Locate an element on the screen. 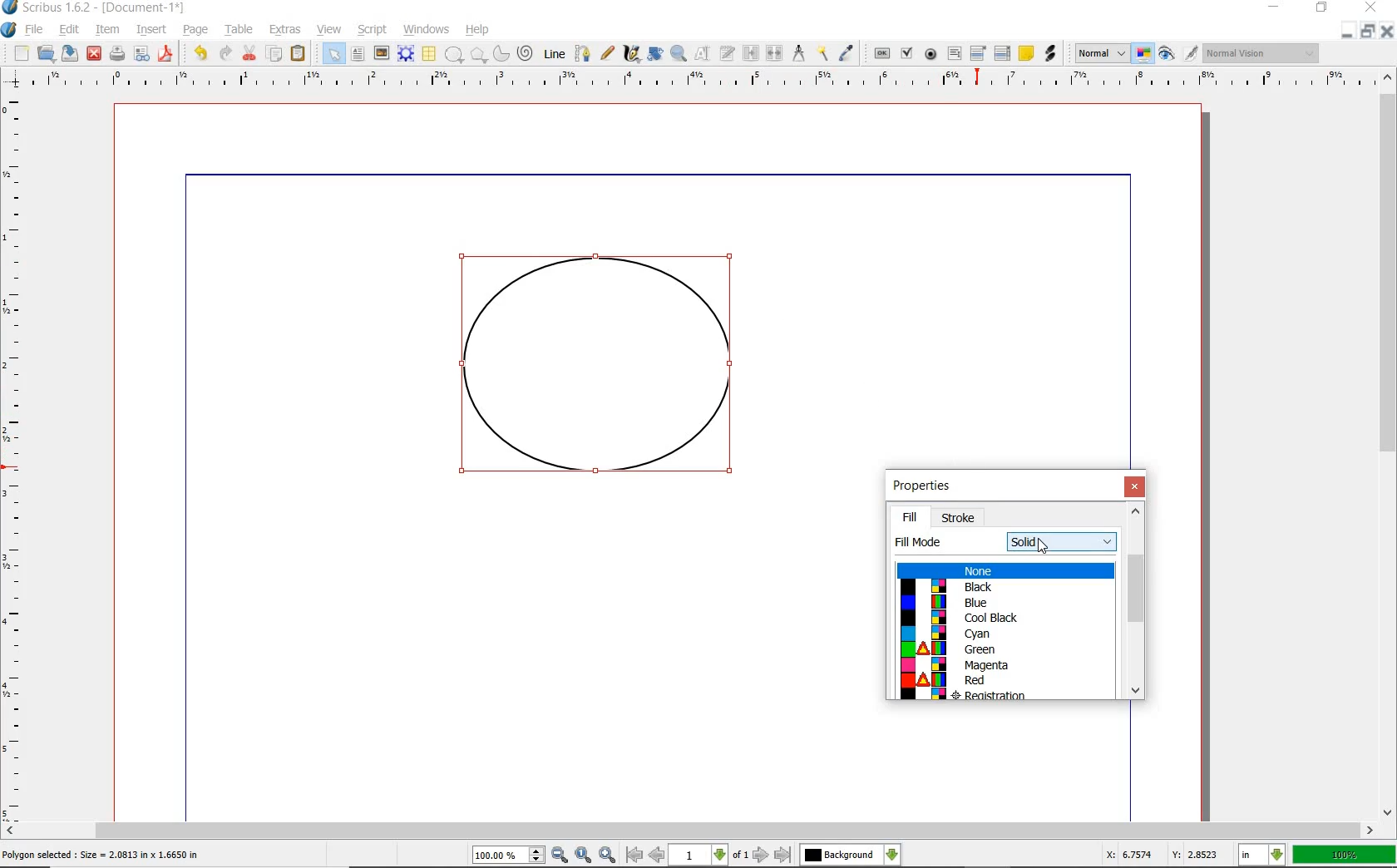  IMAGE is located at coordinates (381, 52).